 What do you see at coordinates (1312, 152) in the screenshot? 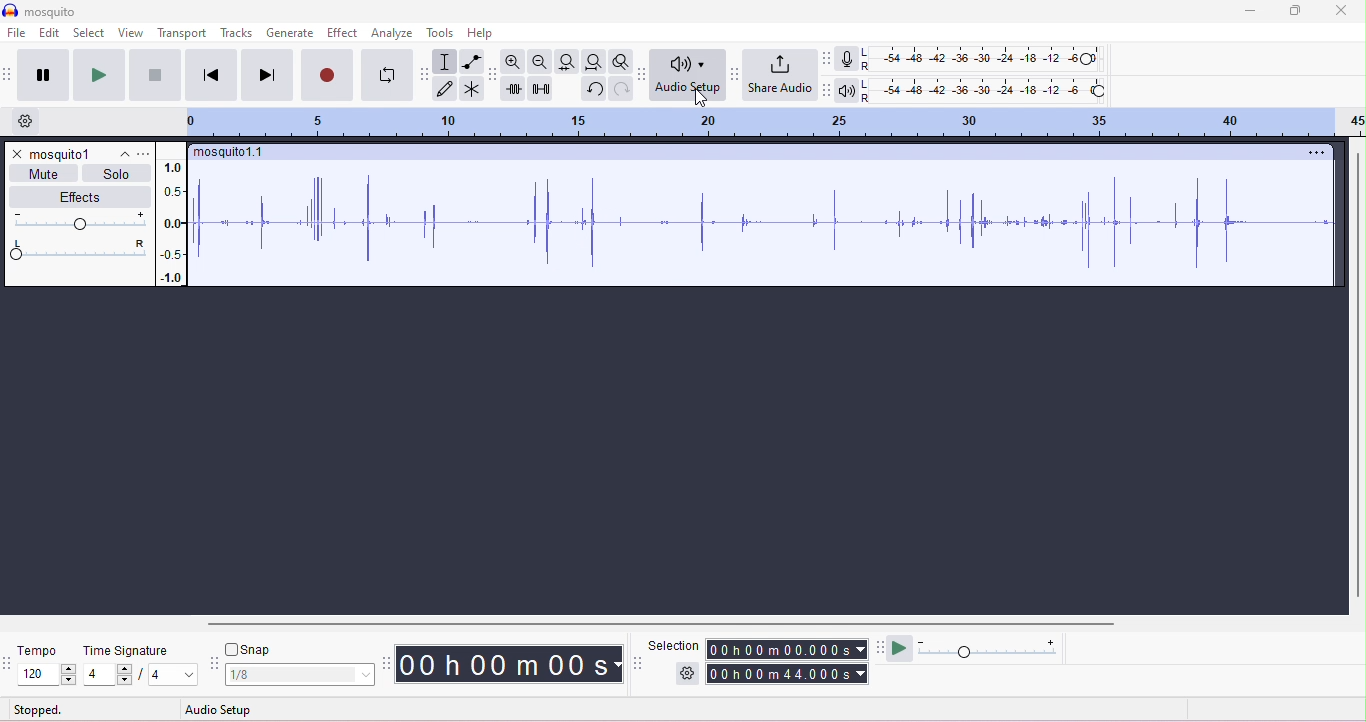
I see `options` at bounding box center [1312, 152].